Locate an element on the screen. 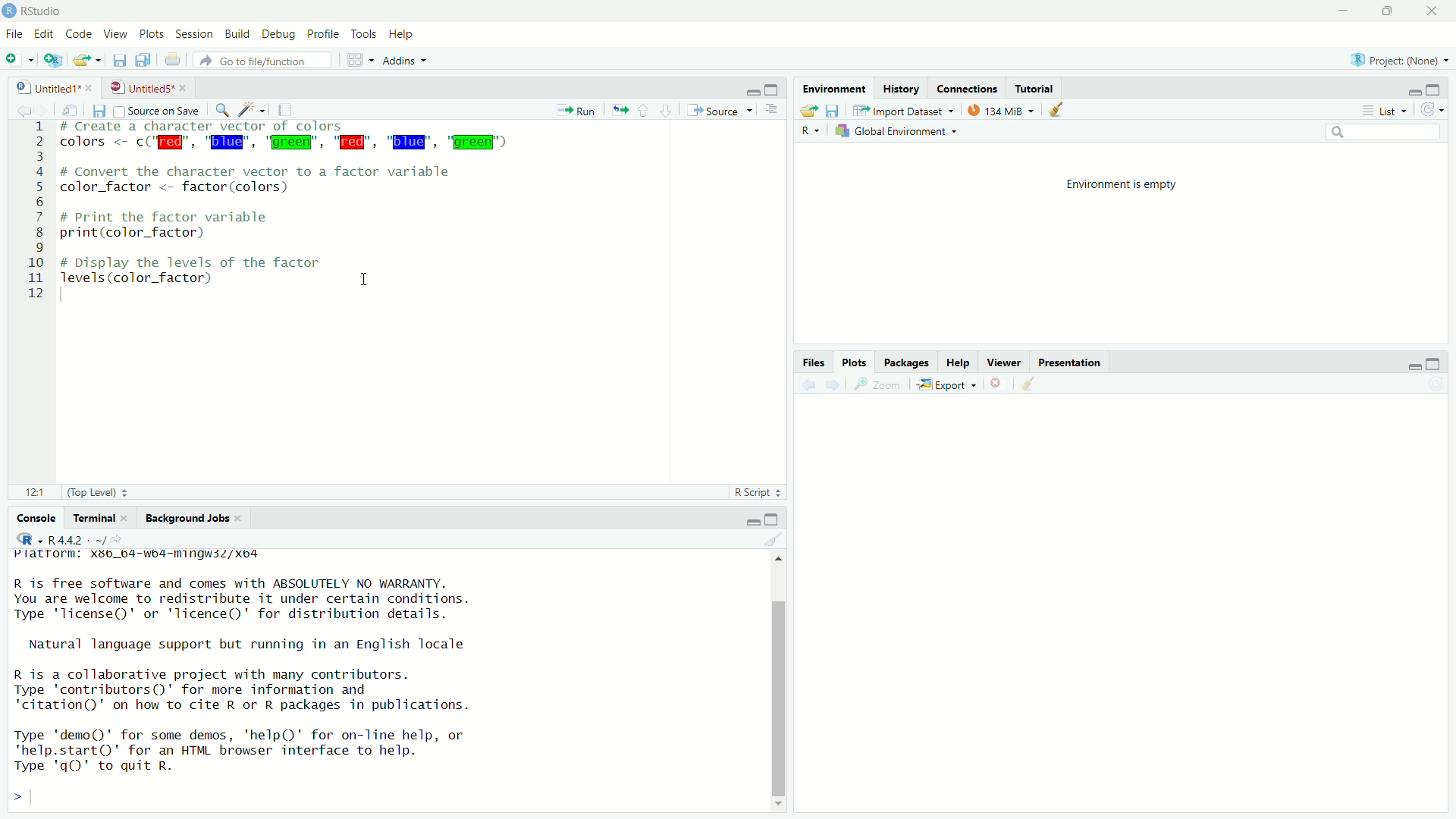  go to previous section/chunk is located at coordinates (645, 111).